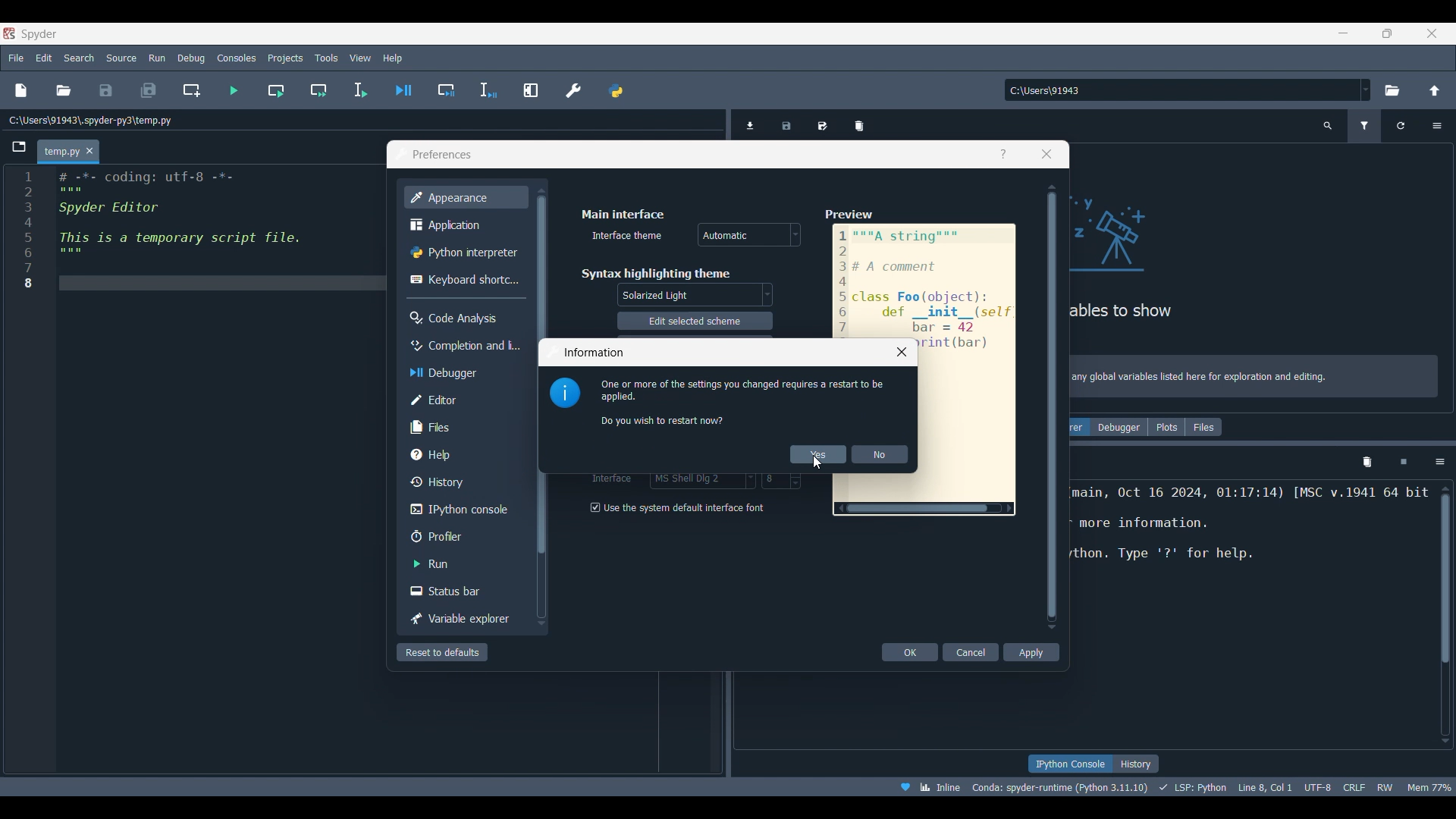 This screenshot has height=819, width=1456. What do you see at coordinates (360, 90) in the screenshot?
I see `Run selection/current line` at bounding box center [360, 90].